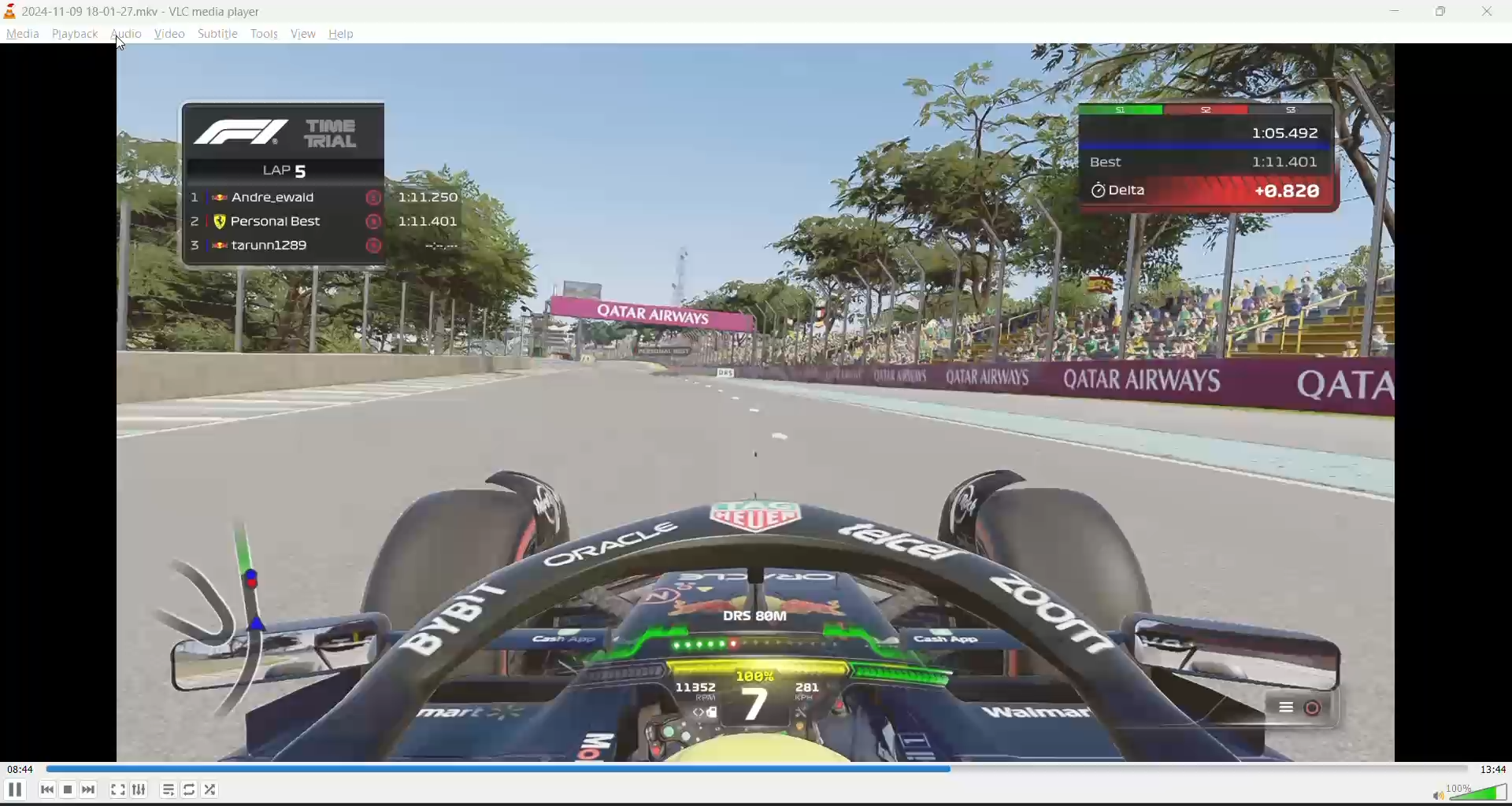 The image size is (1512, 806). I want to click on pervious, so click(46, 789).